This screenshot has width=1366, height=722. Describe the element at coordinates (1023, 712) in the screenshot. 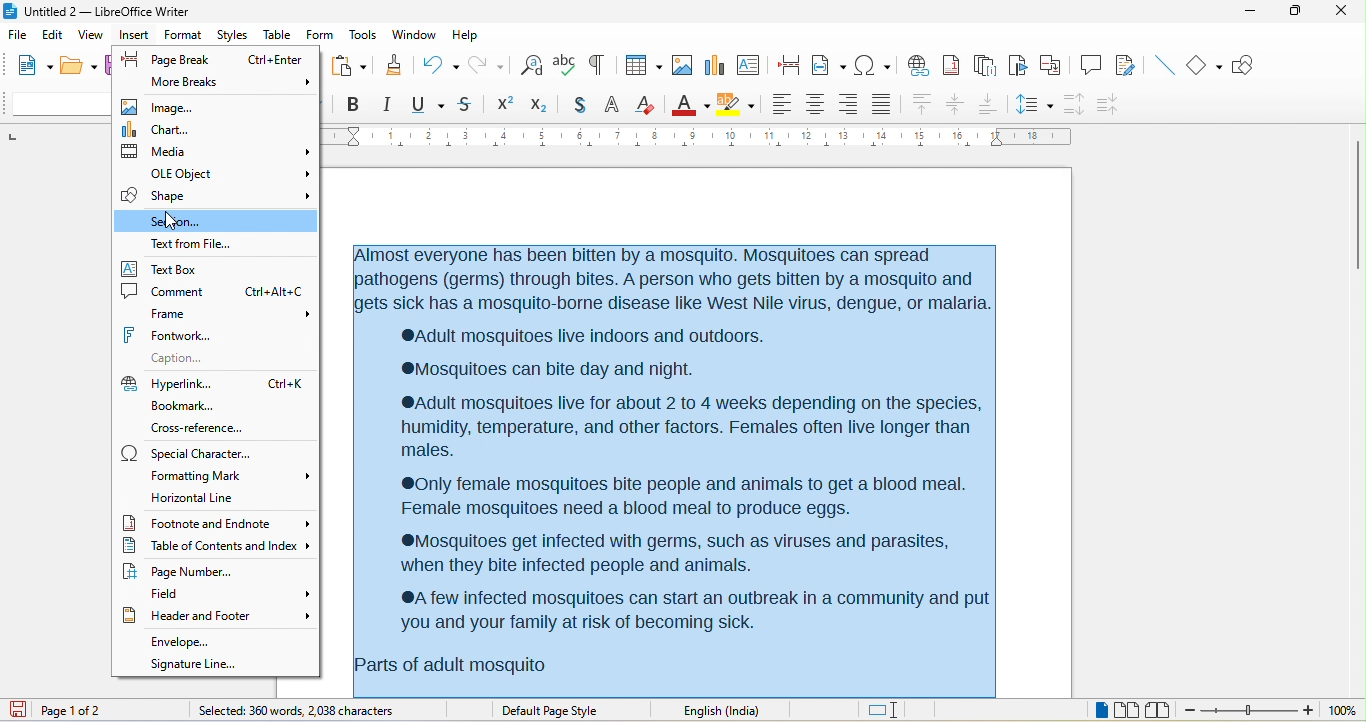

I see `level 1` at that location.